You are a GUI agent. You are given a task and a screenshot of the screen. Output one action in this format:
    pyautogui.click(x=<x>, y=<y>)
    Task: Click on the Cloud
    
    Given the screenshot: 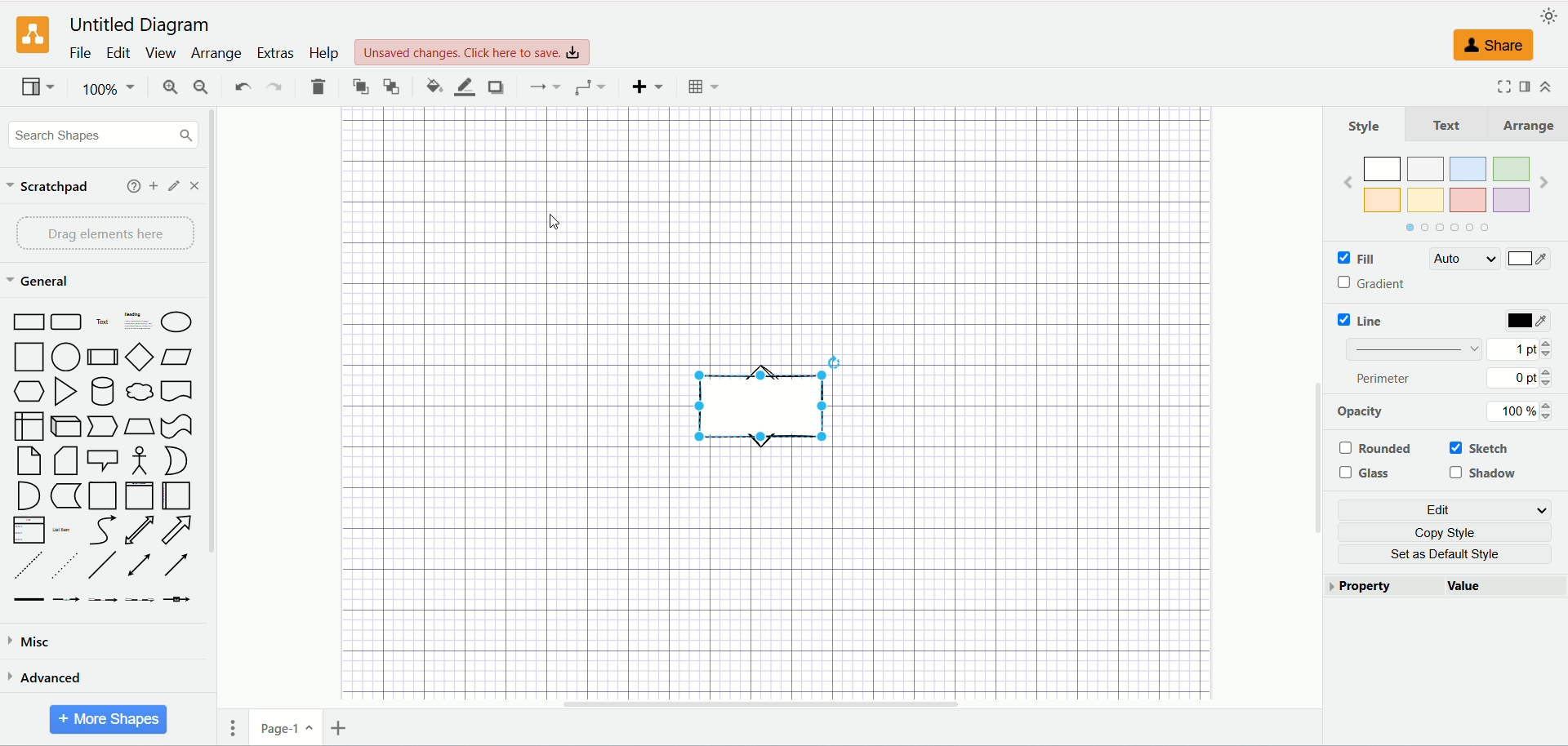 What is the action you would take?
    pyautogui.click(x=140, y=393)
    